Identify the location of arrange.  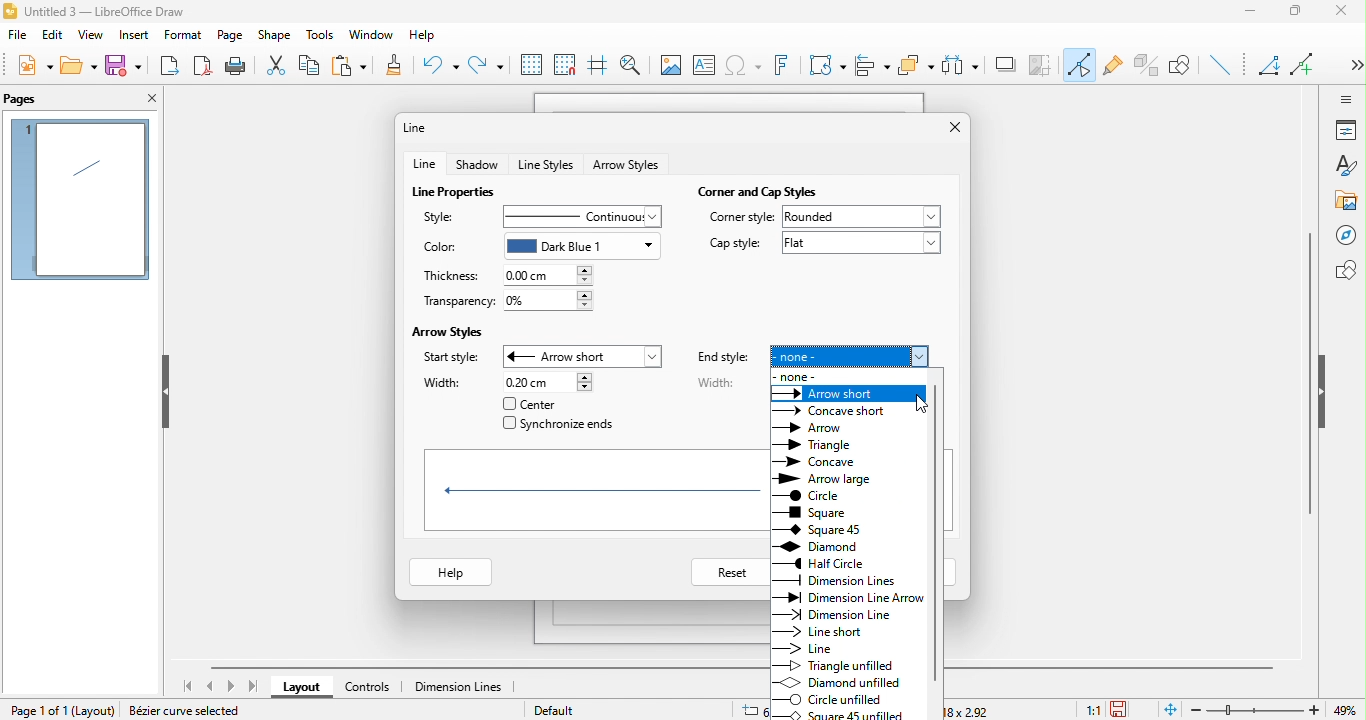
(916, 66).